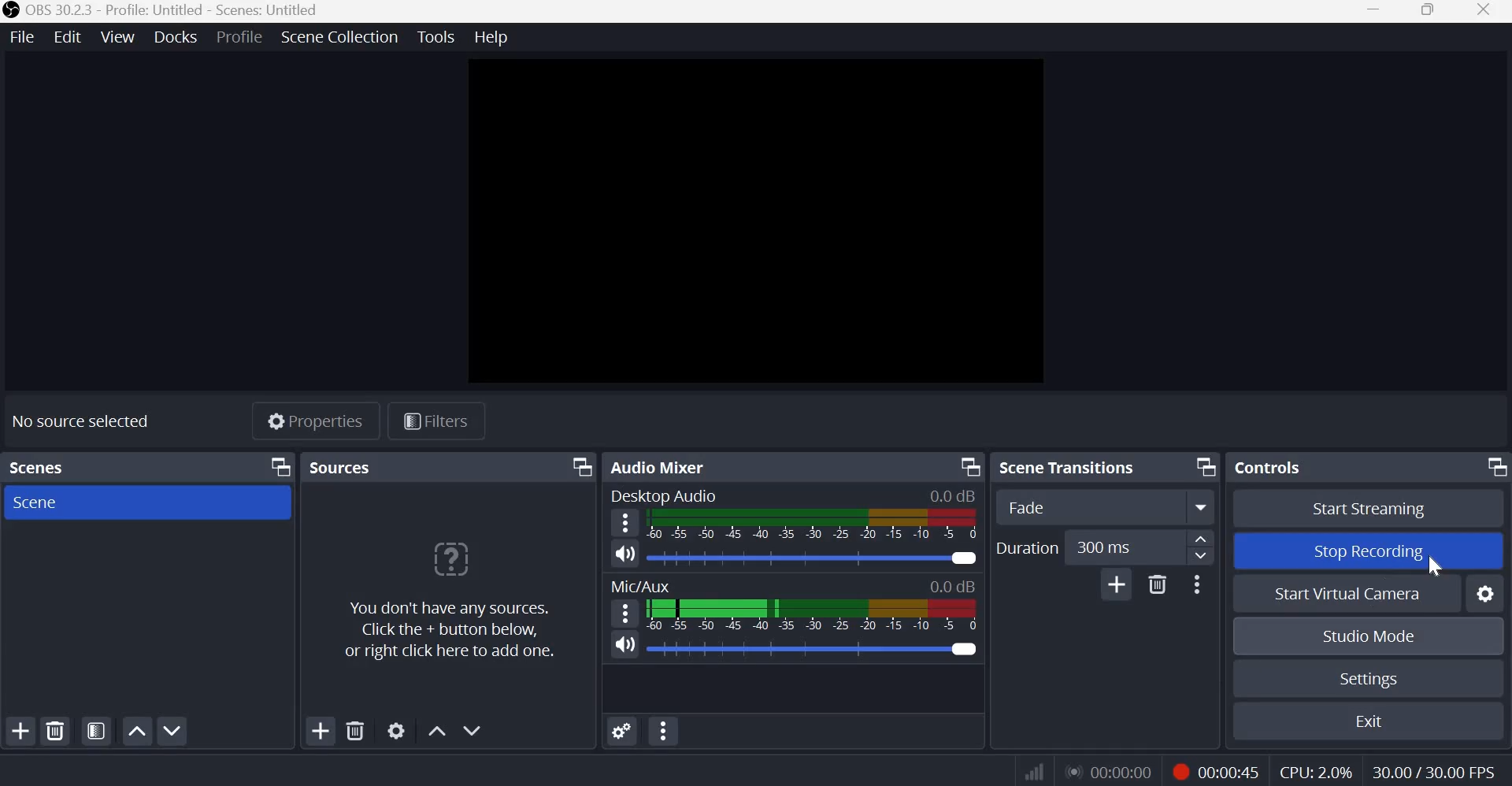 The width and height of the screenshot is (1512, 786). What do you see at coordinates (660, 495) in the screenshot?
I see `Desktop Audio` at bounding box center [660, 495].